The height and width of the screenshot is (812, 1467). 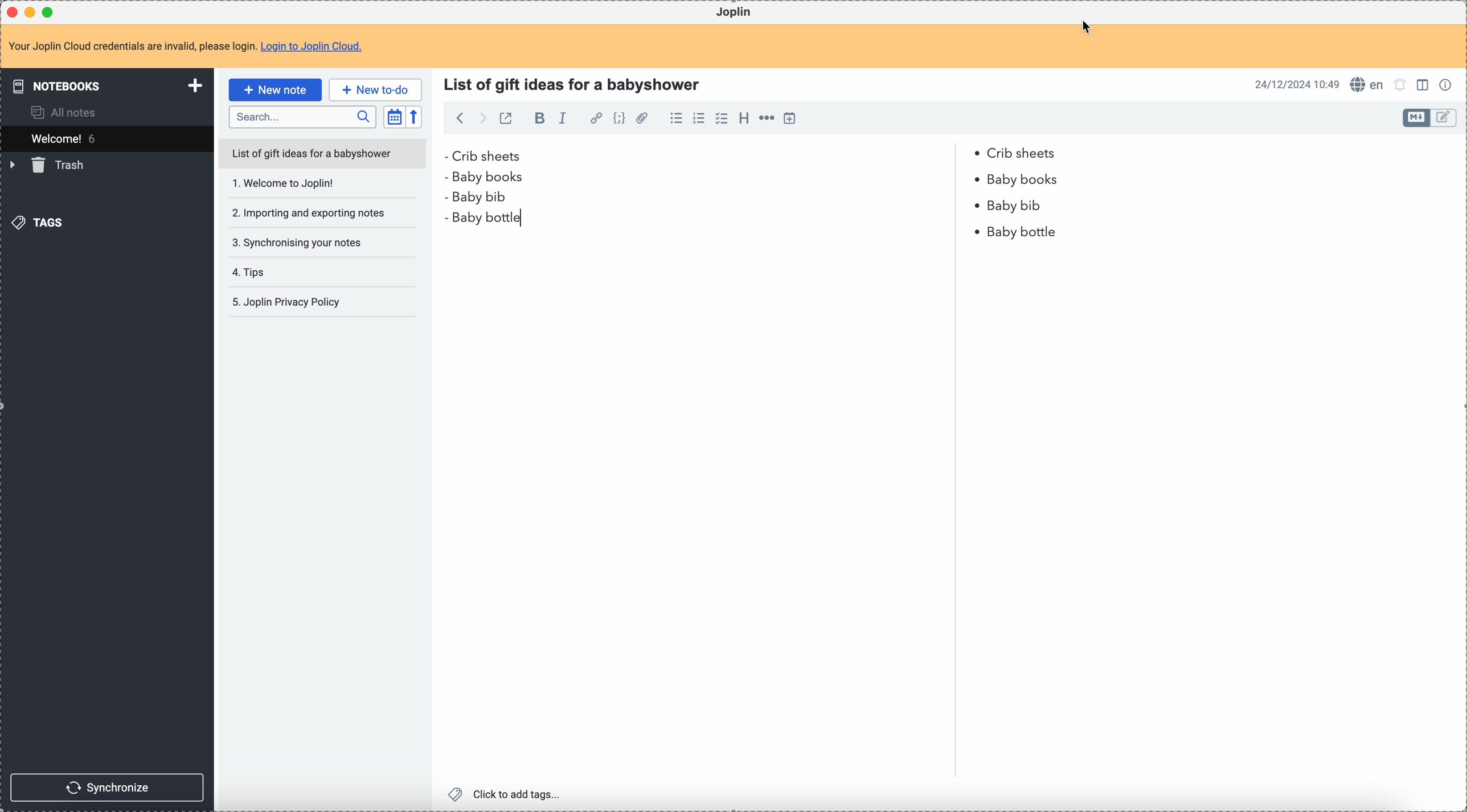 I want to click on toggle edit layout, so click(x=1425, y=87).